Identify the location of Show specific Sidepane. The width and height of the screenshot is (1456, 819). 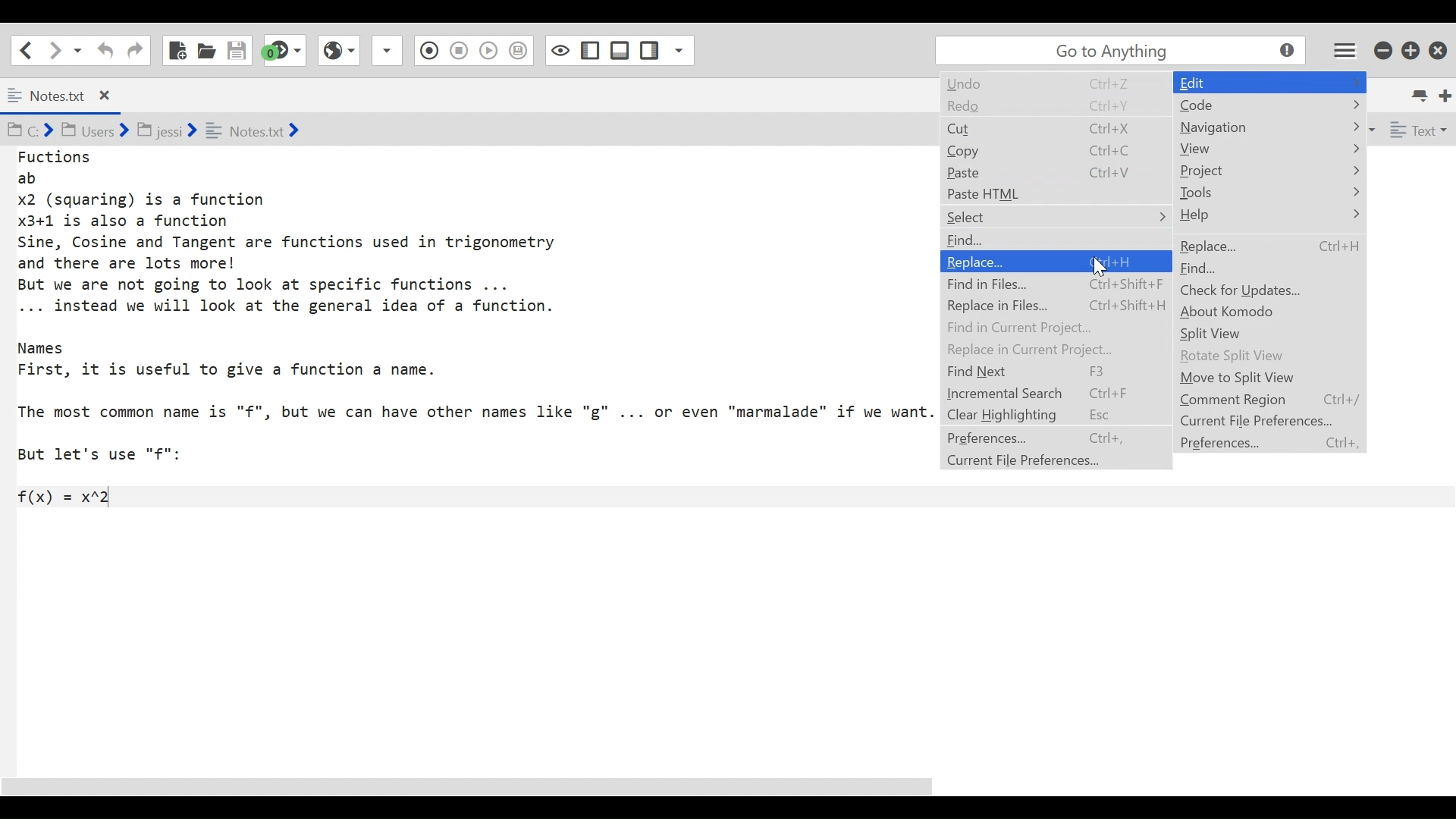
(667, 51).